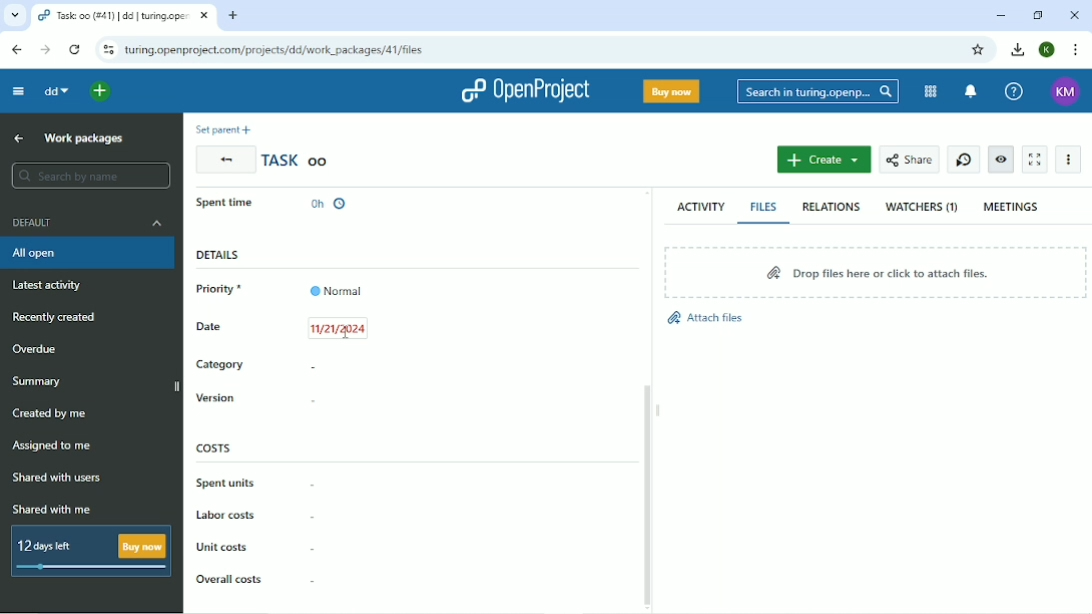  Describe the element at coordinates (972, 91) in the screenshot. I see `To notification center` at that location.